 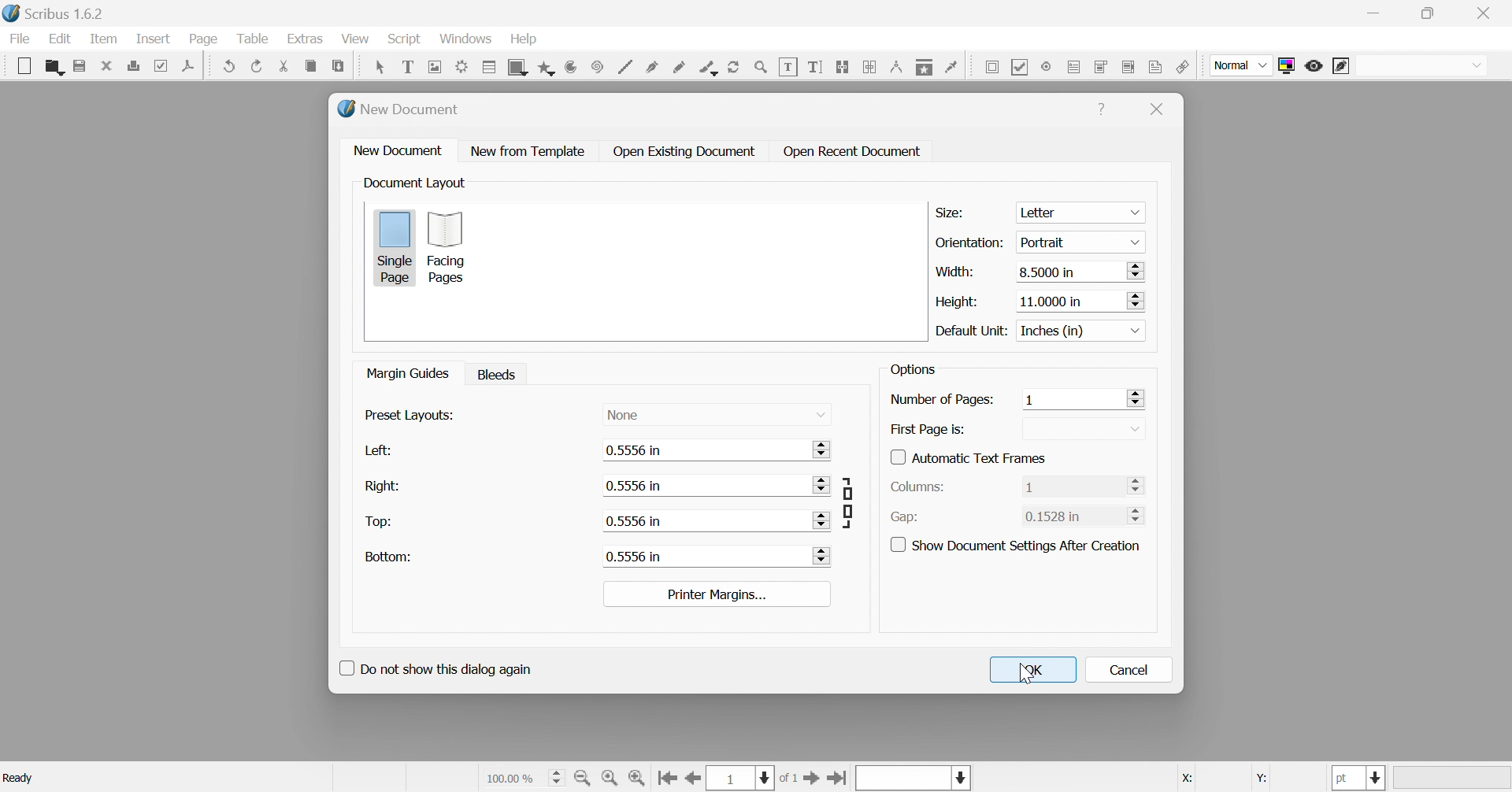 I want to click on extras, so click(x=308, y=40).